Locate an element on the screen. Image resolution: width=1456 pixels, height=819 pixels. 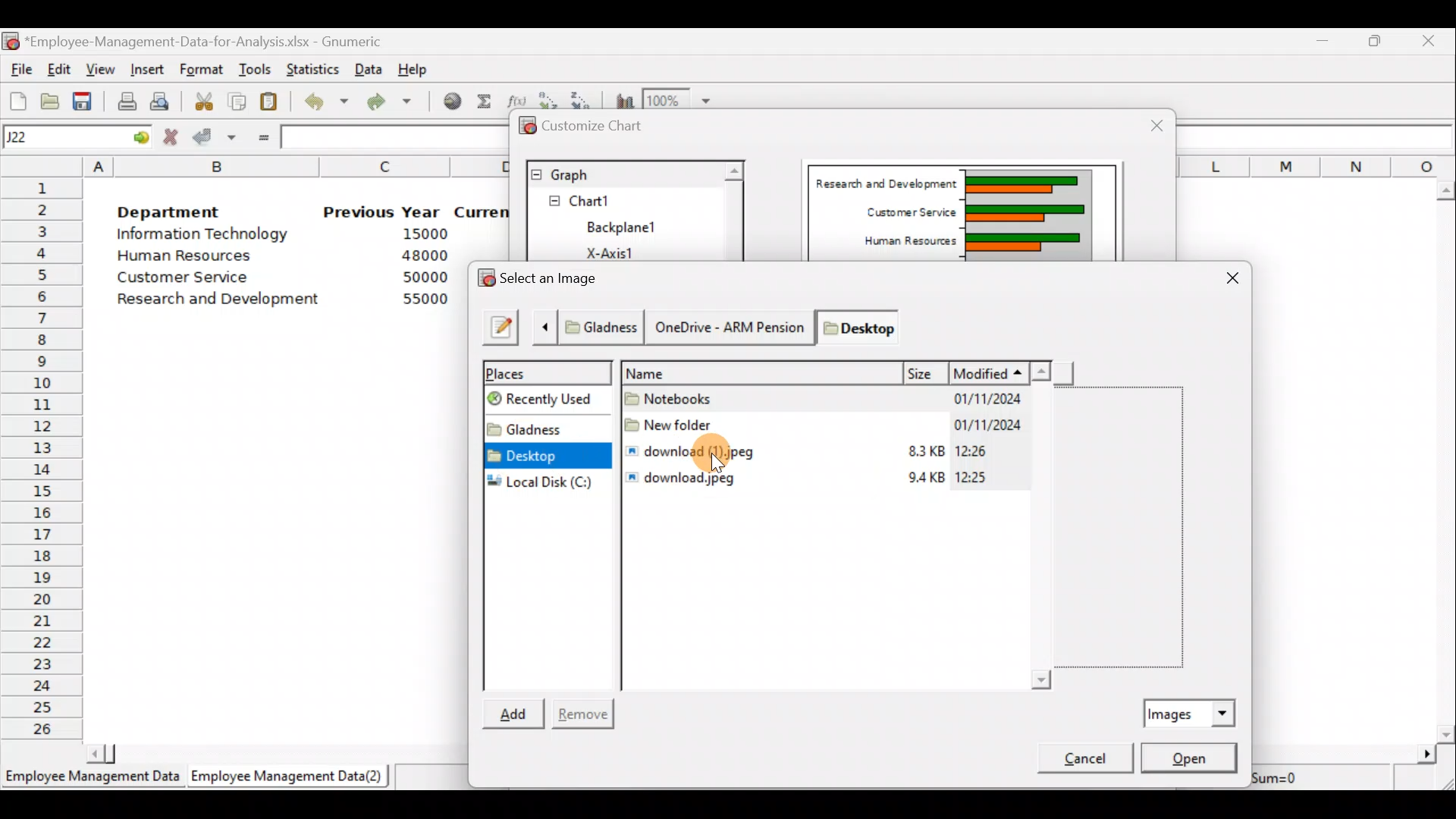
Sum into the current cell is located at coordinates (485, 105).